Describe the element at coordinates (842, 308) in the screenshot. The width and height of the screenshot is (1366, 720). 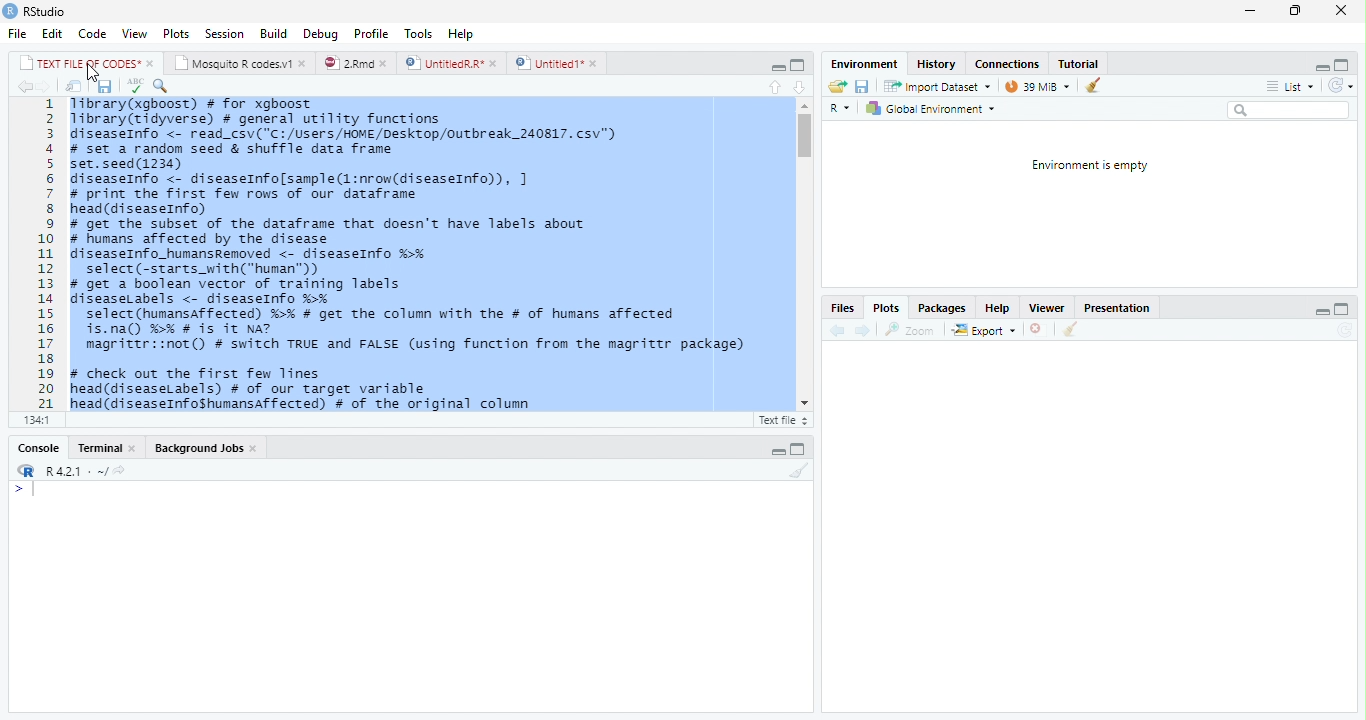
I see `Files` at that location.